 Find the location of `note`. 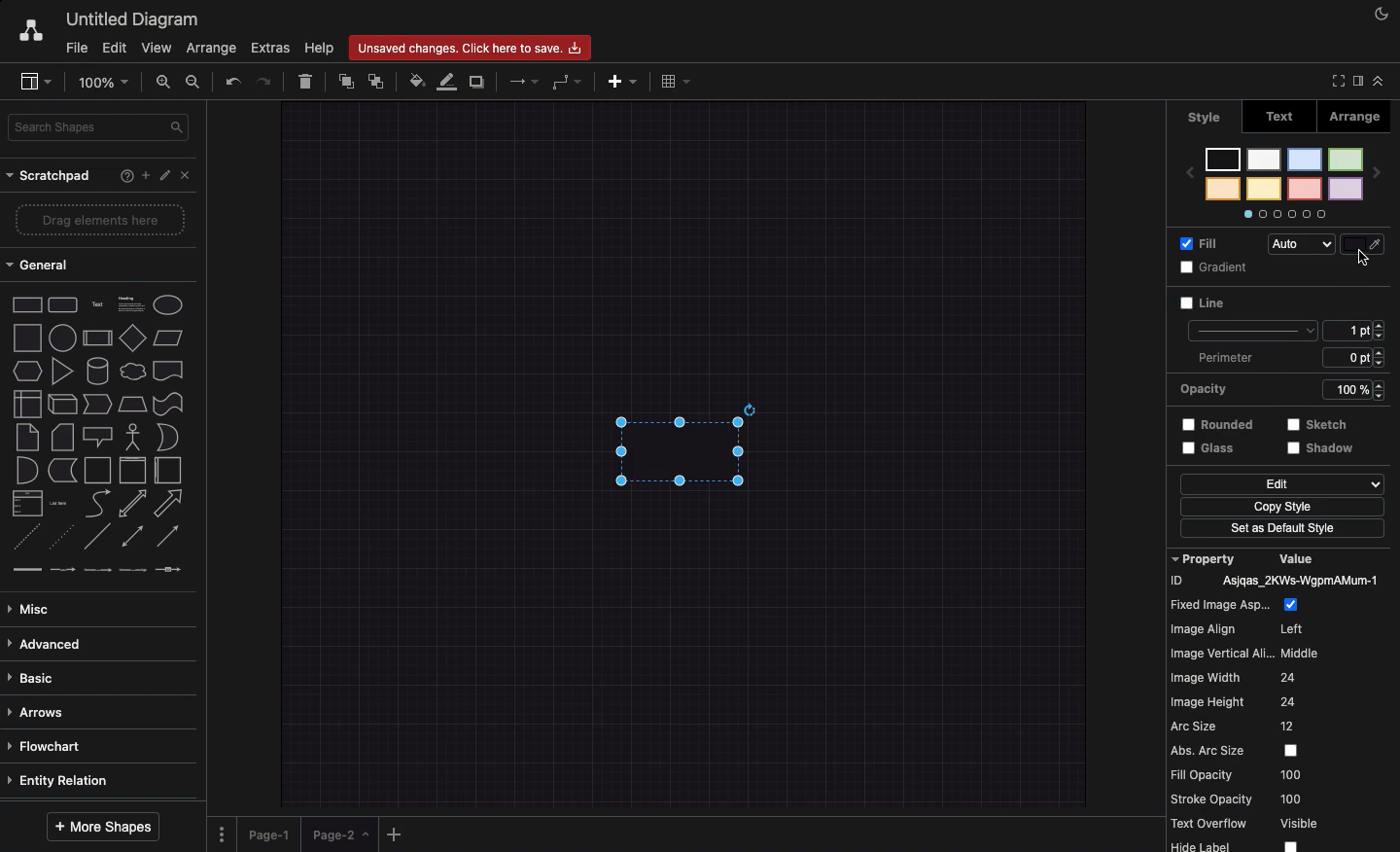

note is located at coordinates (26, 437).